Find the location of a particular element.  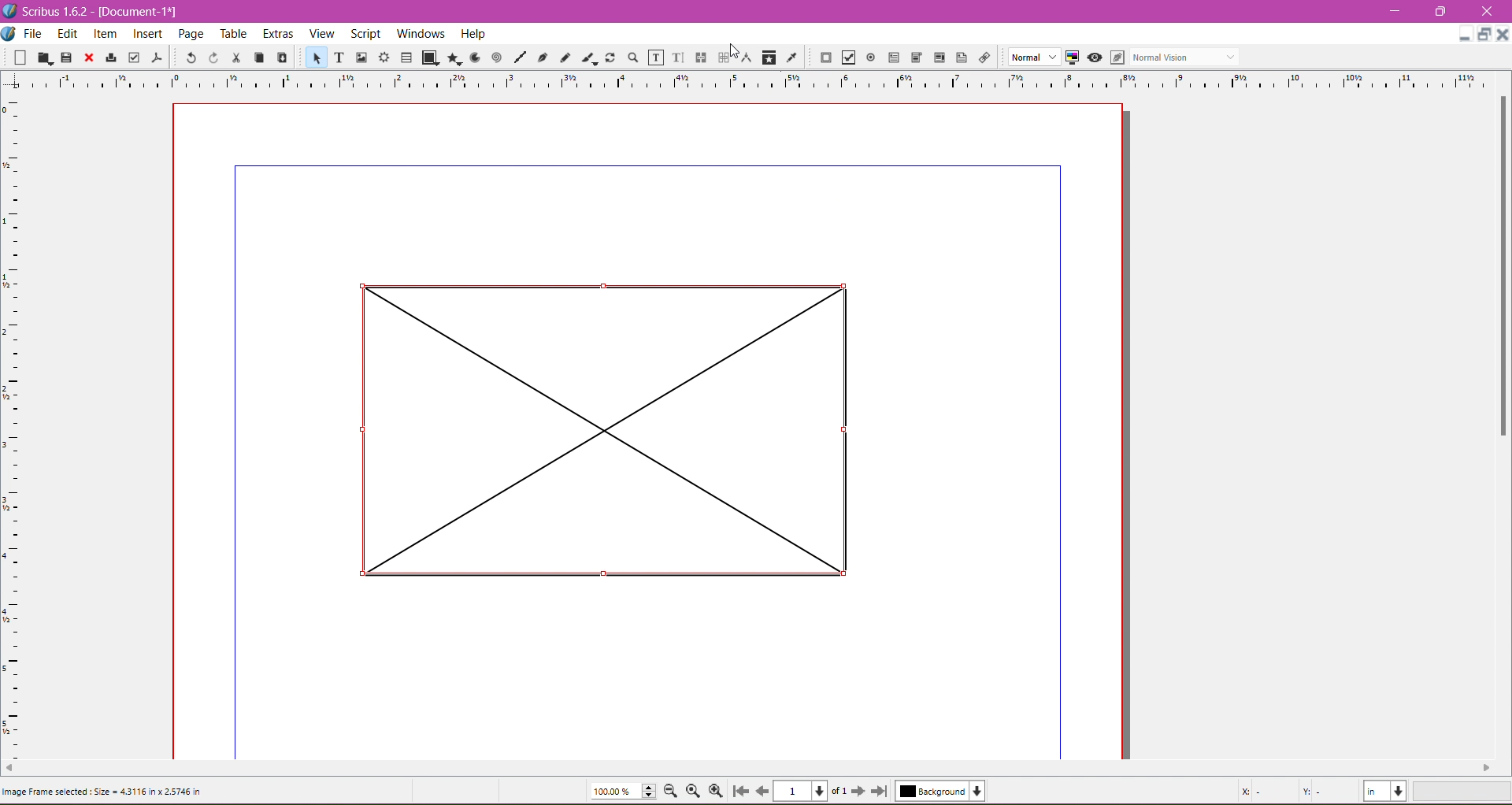

Freehand Line is located at coordinates (565, 57).